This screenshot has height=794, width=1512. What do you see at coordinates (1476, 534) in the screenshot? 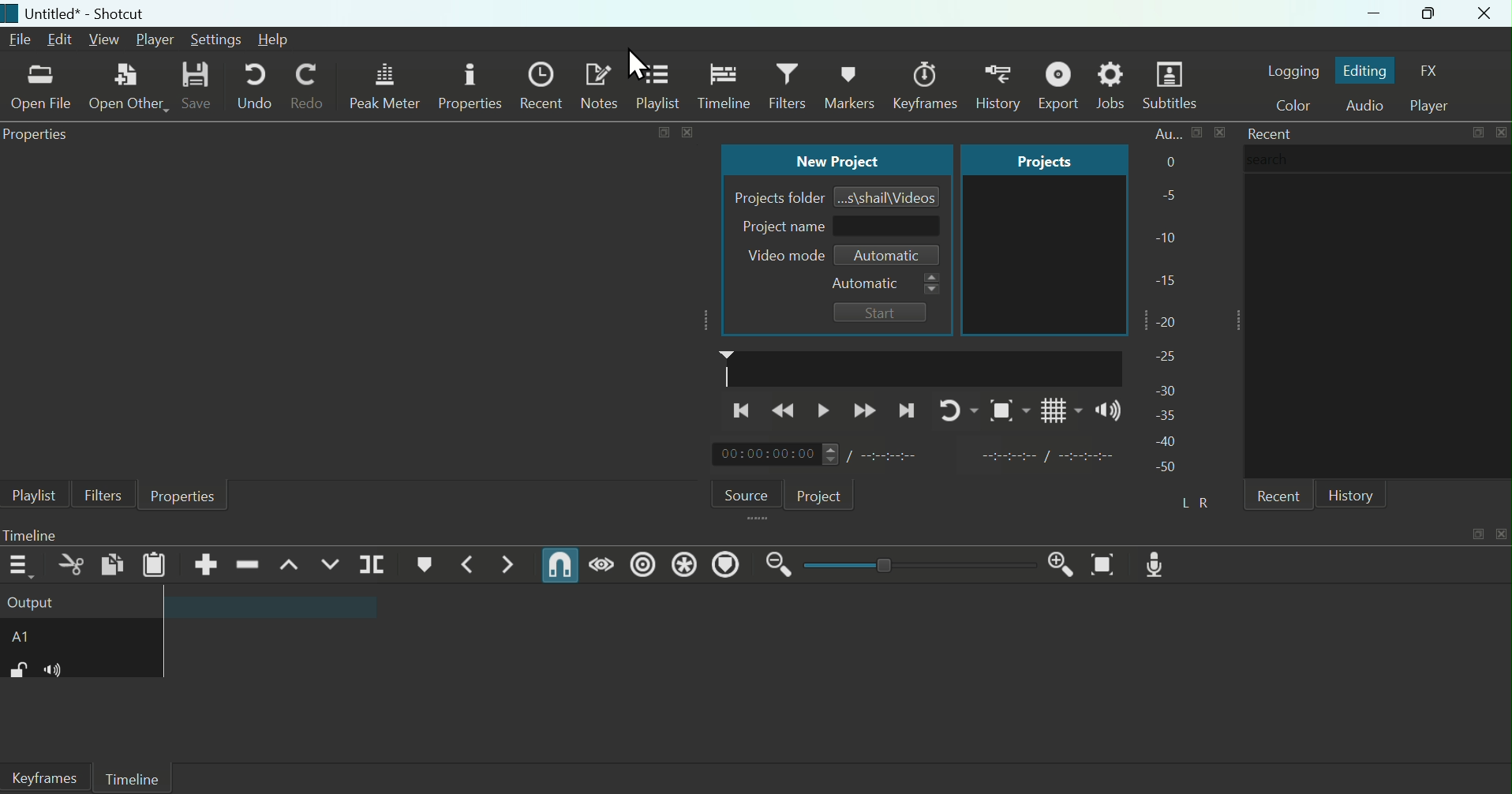
I see `expand` at bounding box center [1476, 534].